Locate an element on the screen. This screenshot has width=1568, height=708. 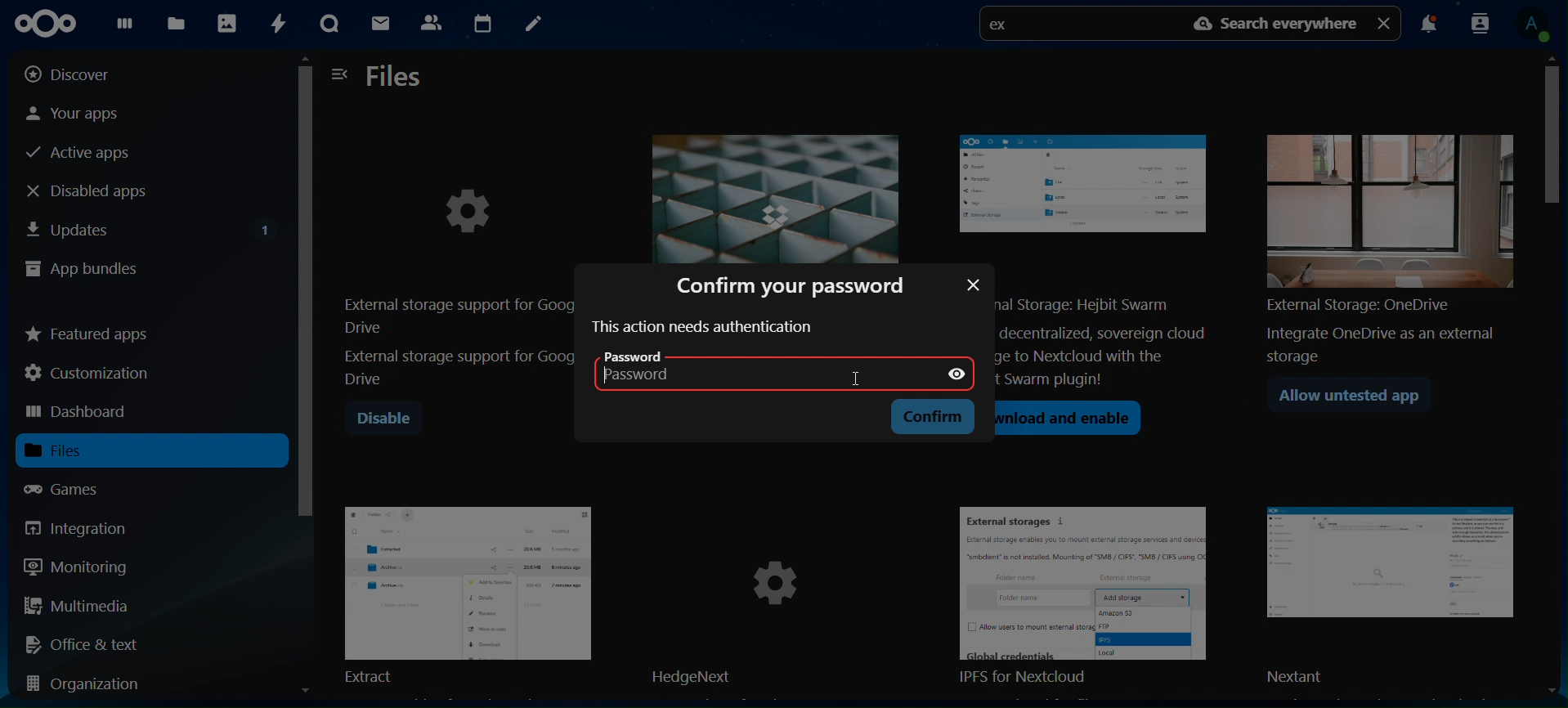
close is located at coordinates (974, 285).